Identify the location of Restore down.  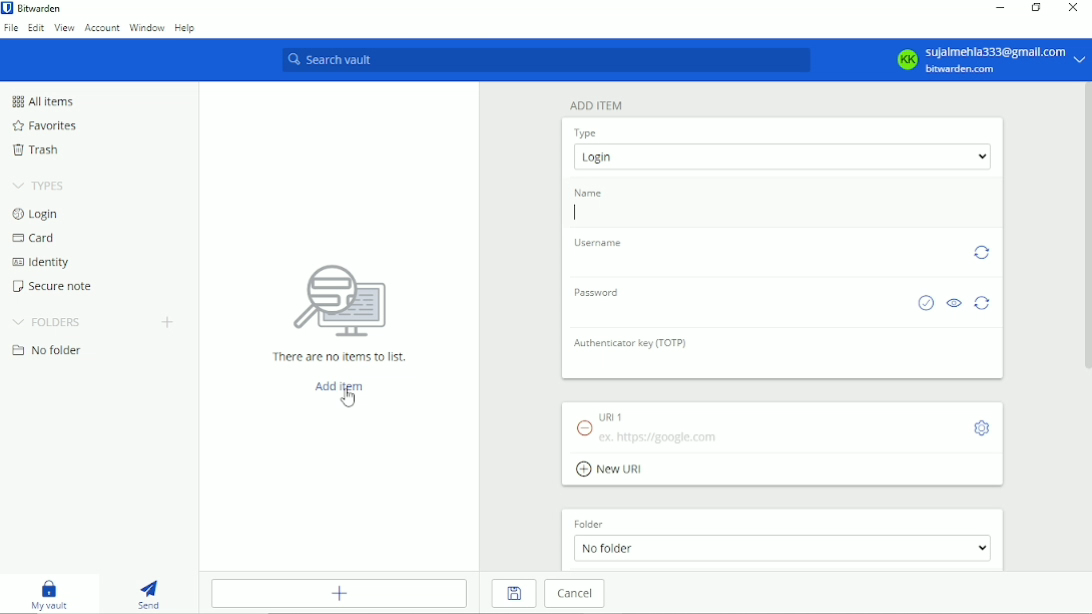
(1036, 9).